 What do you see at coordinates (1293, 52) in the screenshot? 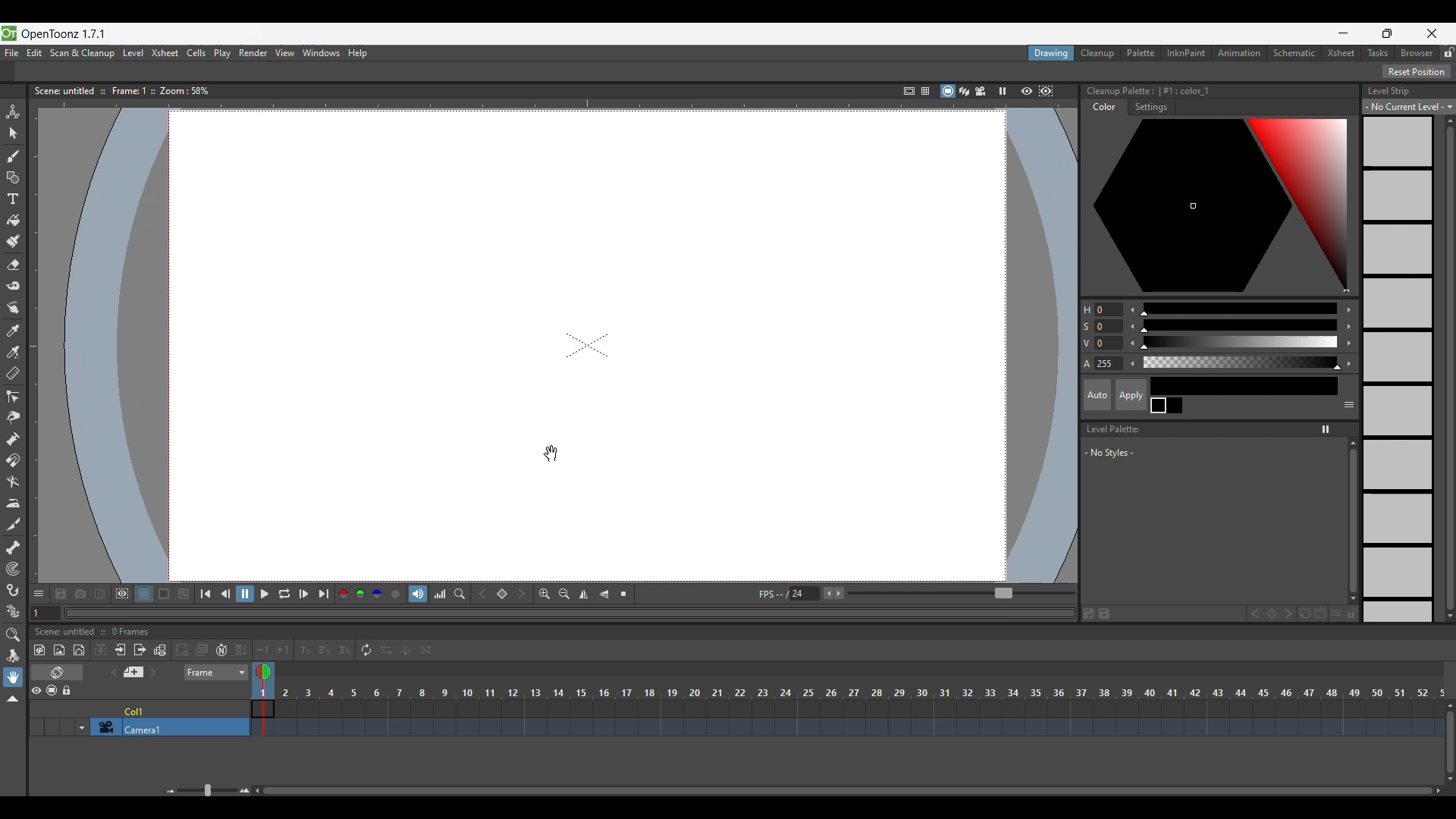
I see `Schematic` at bounding box center [1293, 52].